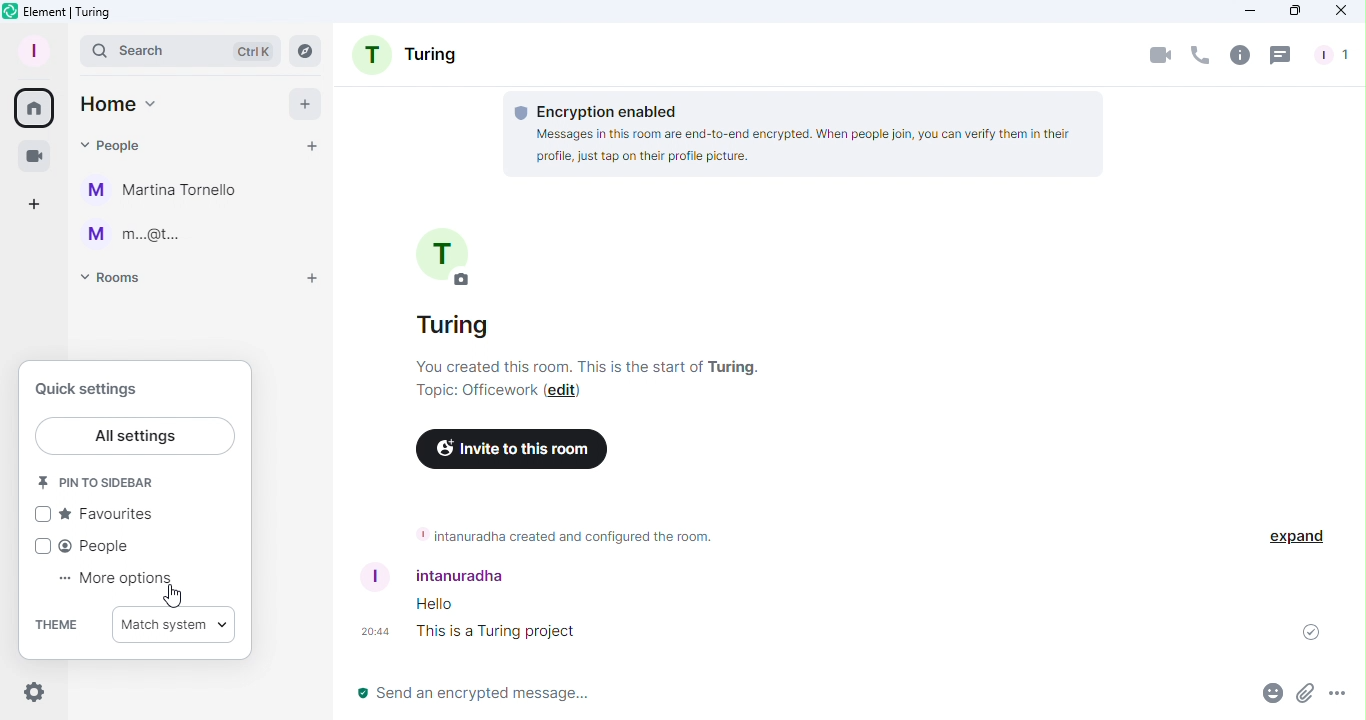 The width and height of the screenshot is (1366, 720). Describe the element at coordinates (306, 103) in the screenshot. I see `Add` at that location.